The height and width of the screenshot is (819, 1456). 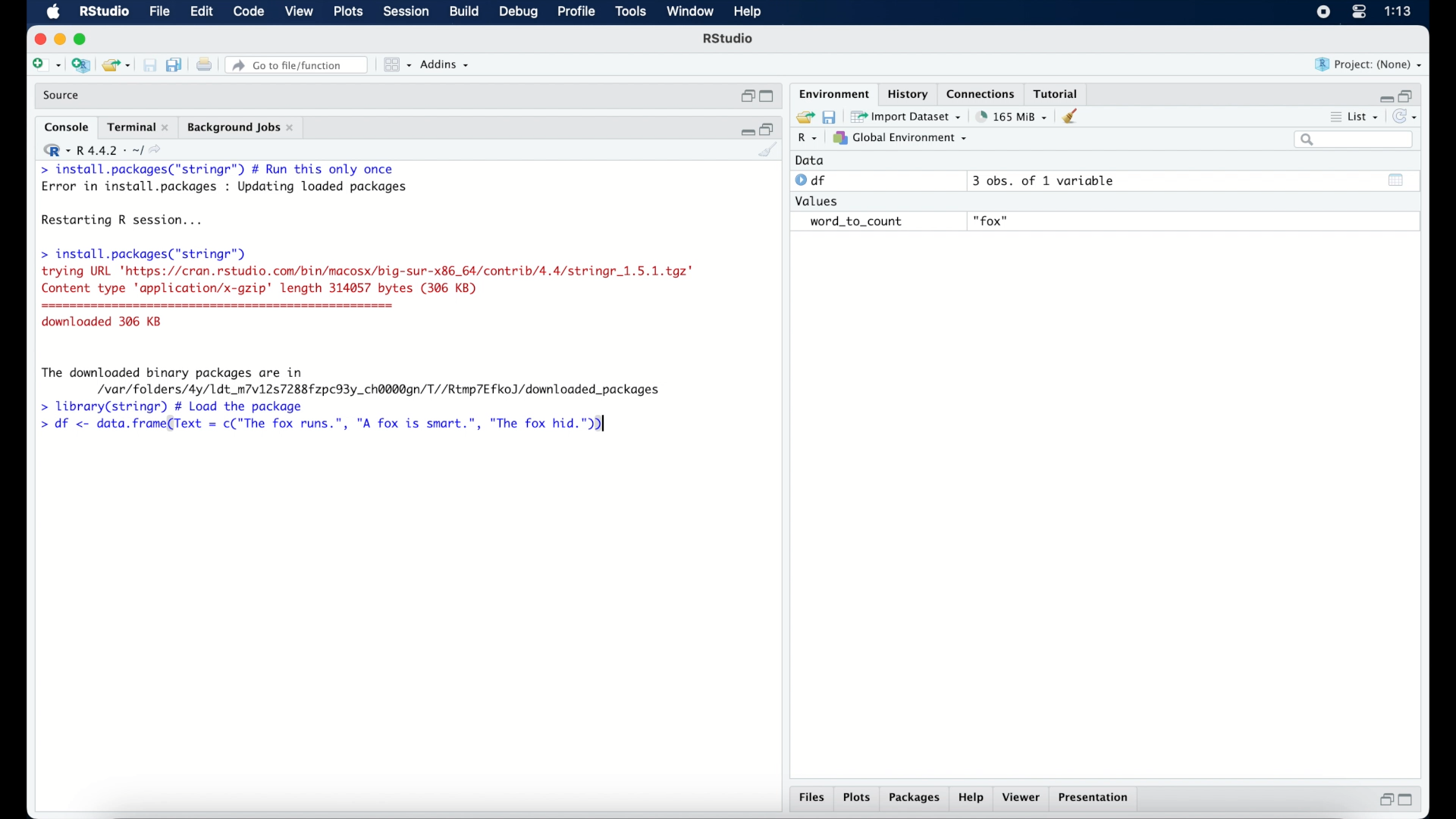 I want to click on packages, so click(x=915, y=799).